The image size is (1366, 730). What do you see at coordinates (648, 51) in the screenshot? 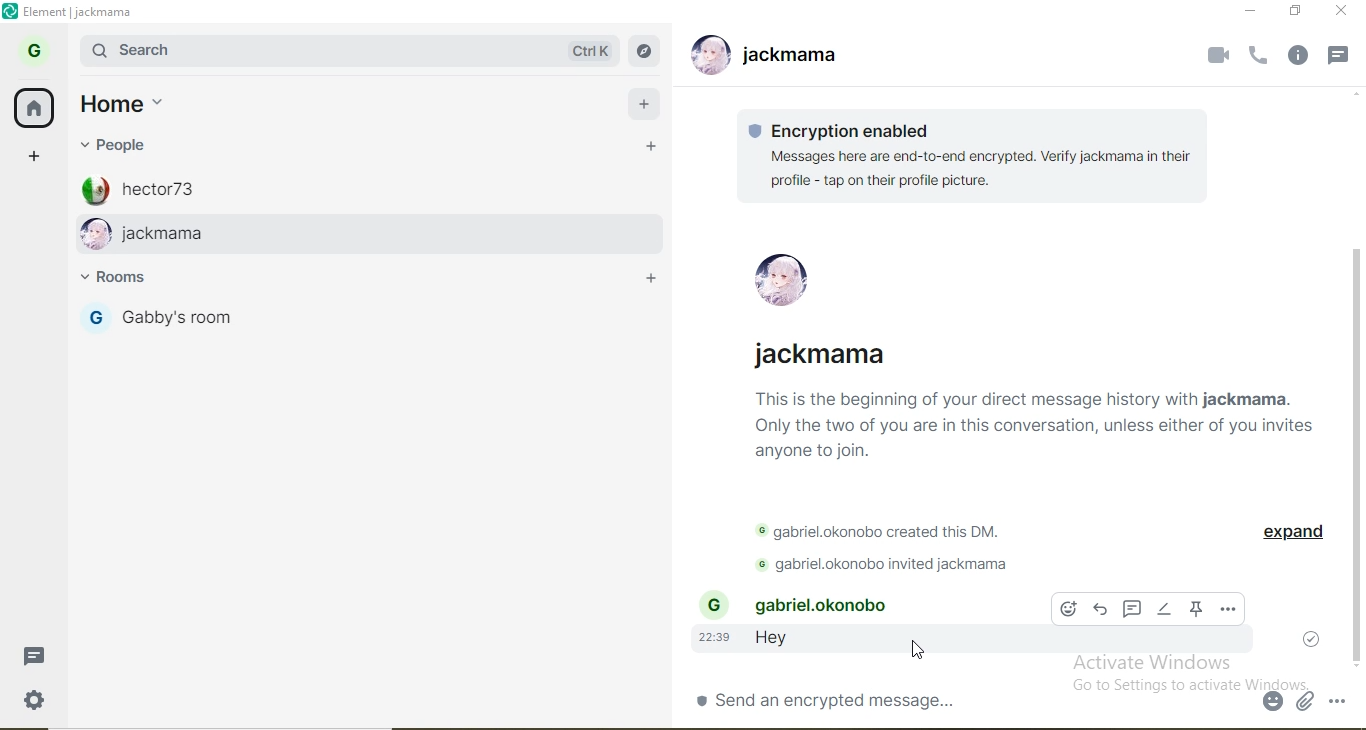
I see `navigate` at bounding box center [648, 51].